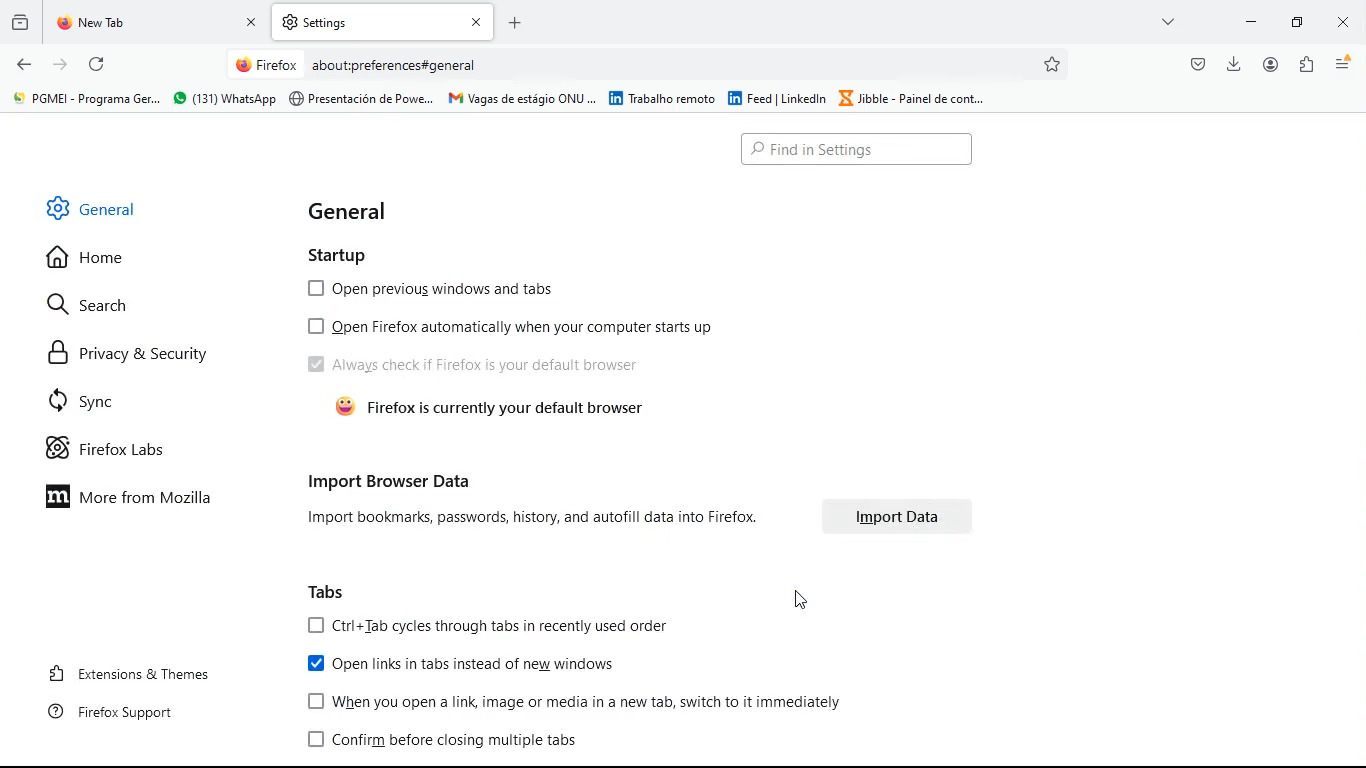 The image size is (1366, 768). I want to click on | Vagas de estagio ONU, so click(521, 97).